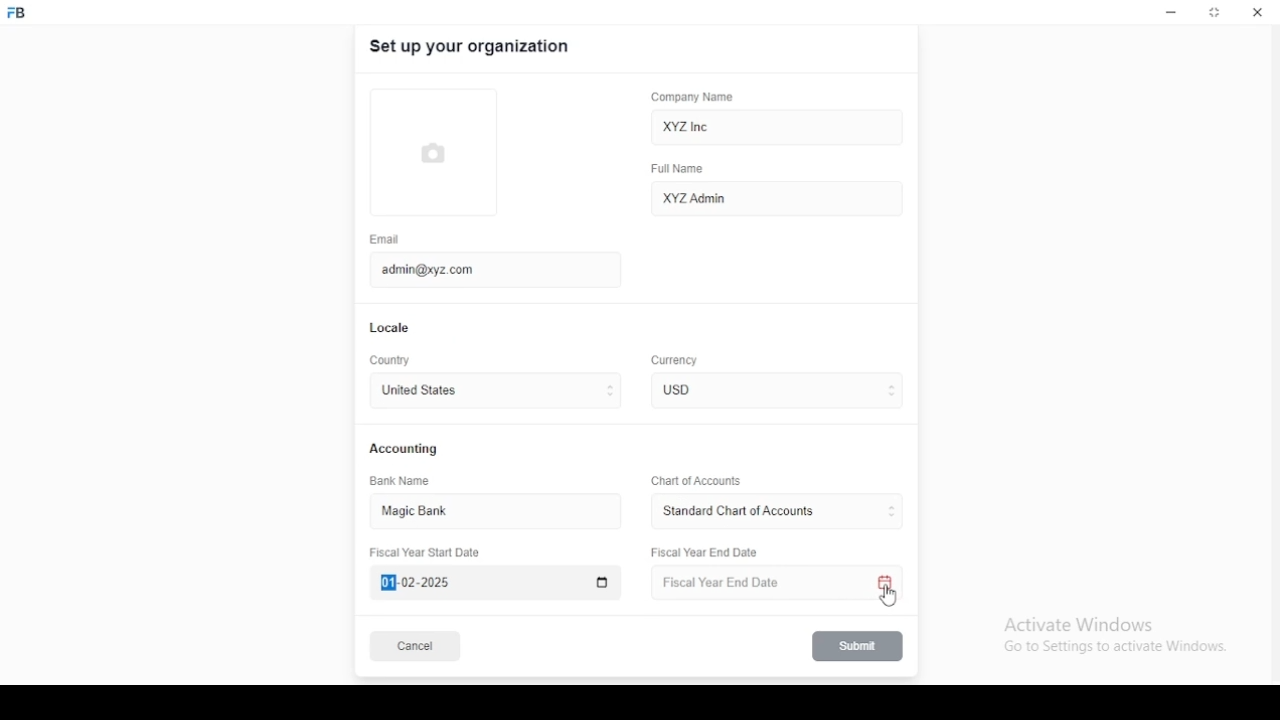 Image resolution: width=1280 pixels, height=720 pixels. I want to click on restore, so click(1216, 14).